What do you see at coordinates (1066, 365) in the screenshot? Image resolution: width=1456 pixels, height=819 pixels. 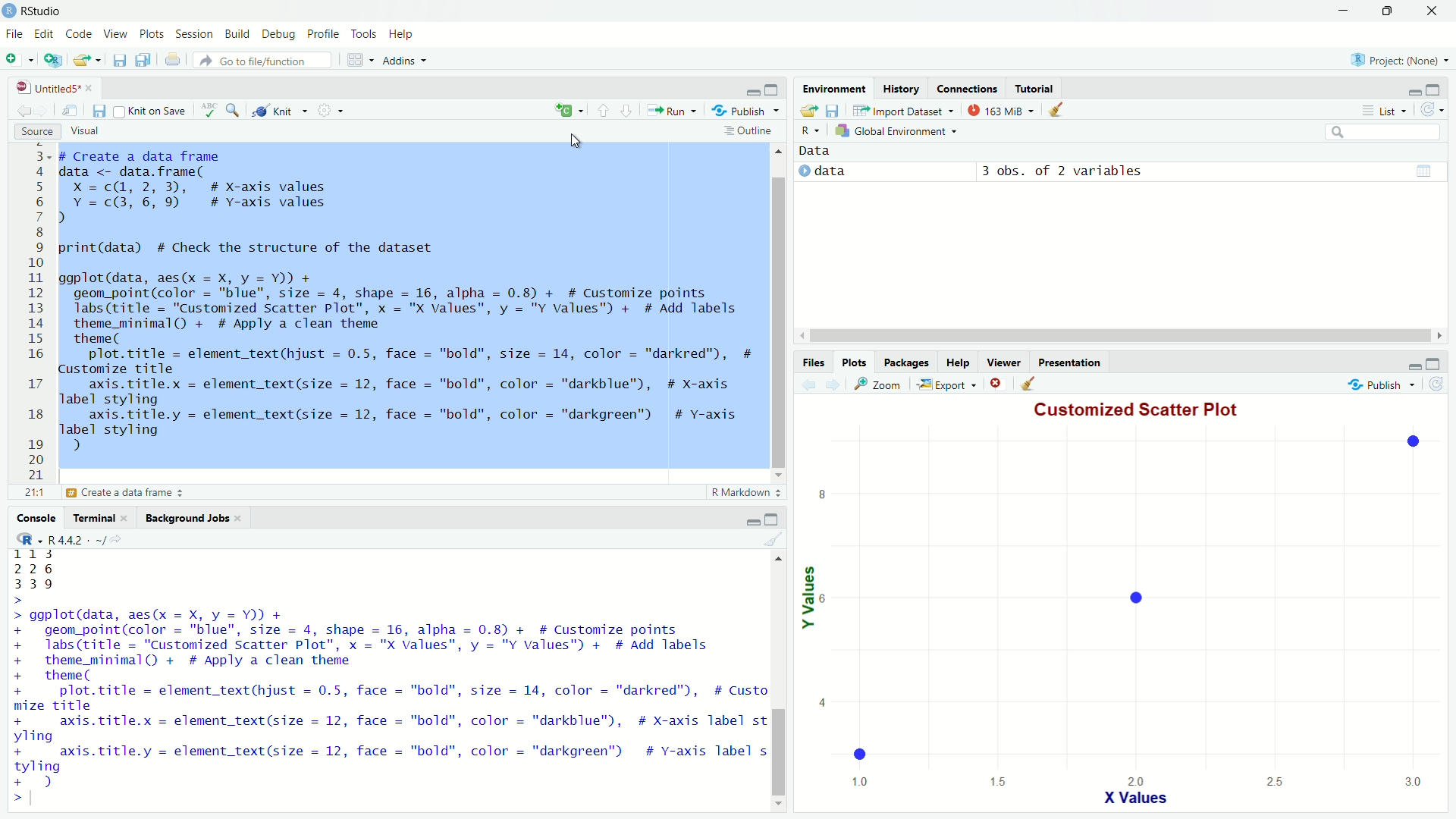 I see `Presentation` at bounding box center [1066, 365].